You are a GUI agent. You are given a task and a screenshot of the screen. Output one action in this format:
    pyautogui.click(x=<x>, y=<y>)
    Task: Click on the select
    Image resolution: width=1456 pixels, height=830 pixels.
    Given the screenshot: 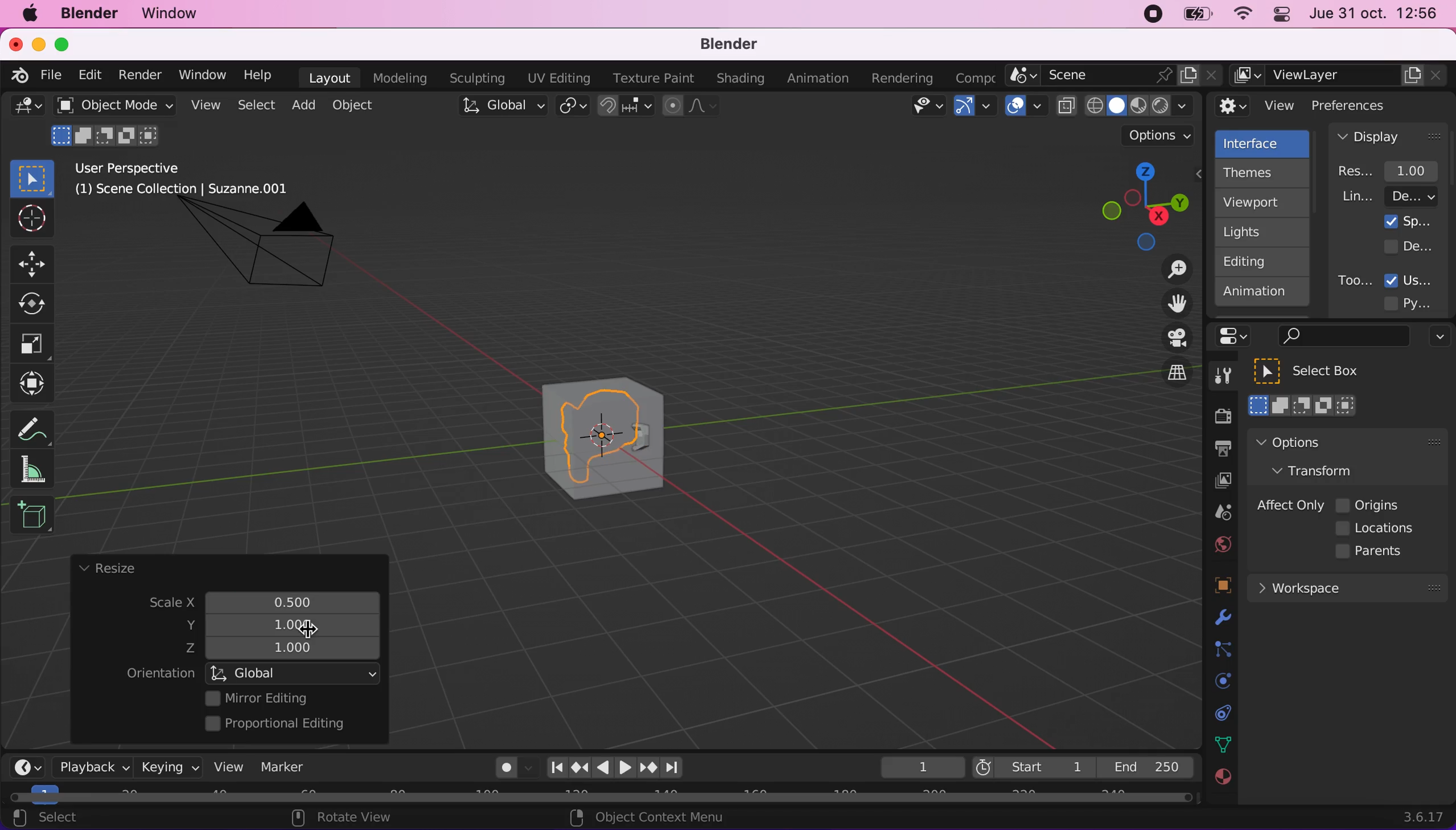 What is the action you would take?
    pyautogui.click(x=58, y=819)
    